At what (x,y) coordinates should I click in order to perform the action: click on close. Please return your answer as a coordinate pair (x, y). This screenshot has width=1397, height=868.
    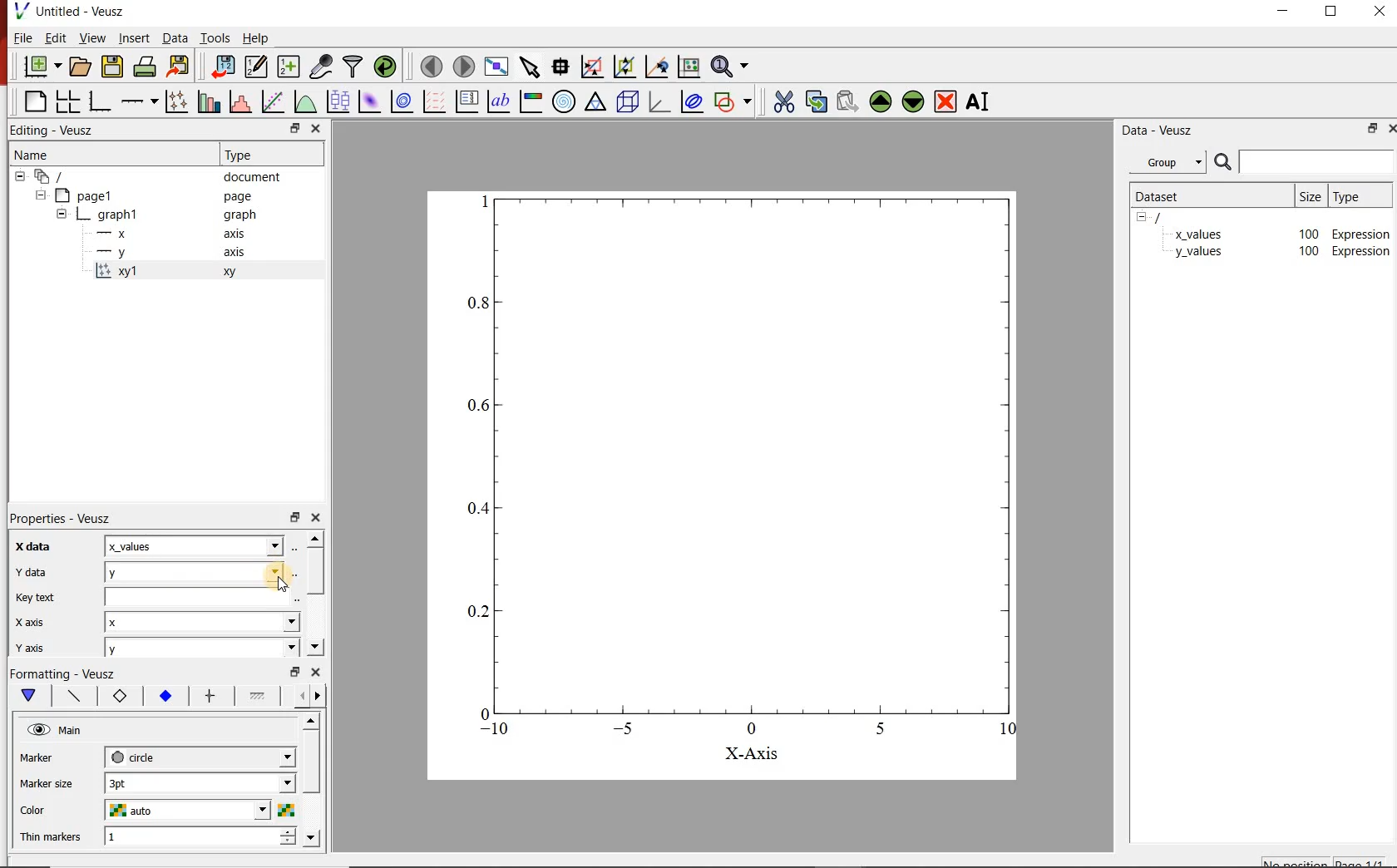
    Looking at the image, I should click on (317, 128).